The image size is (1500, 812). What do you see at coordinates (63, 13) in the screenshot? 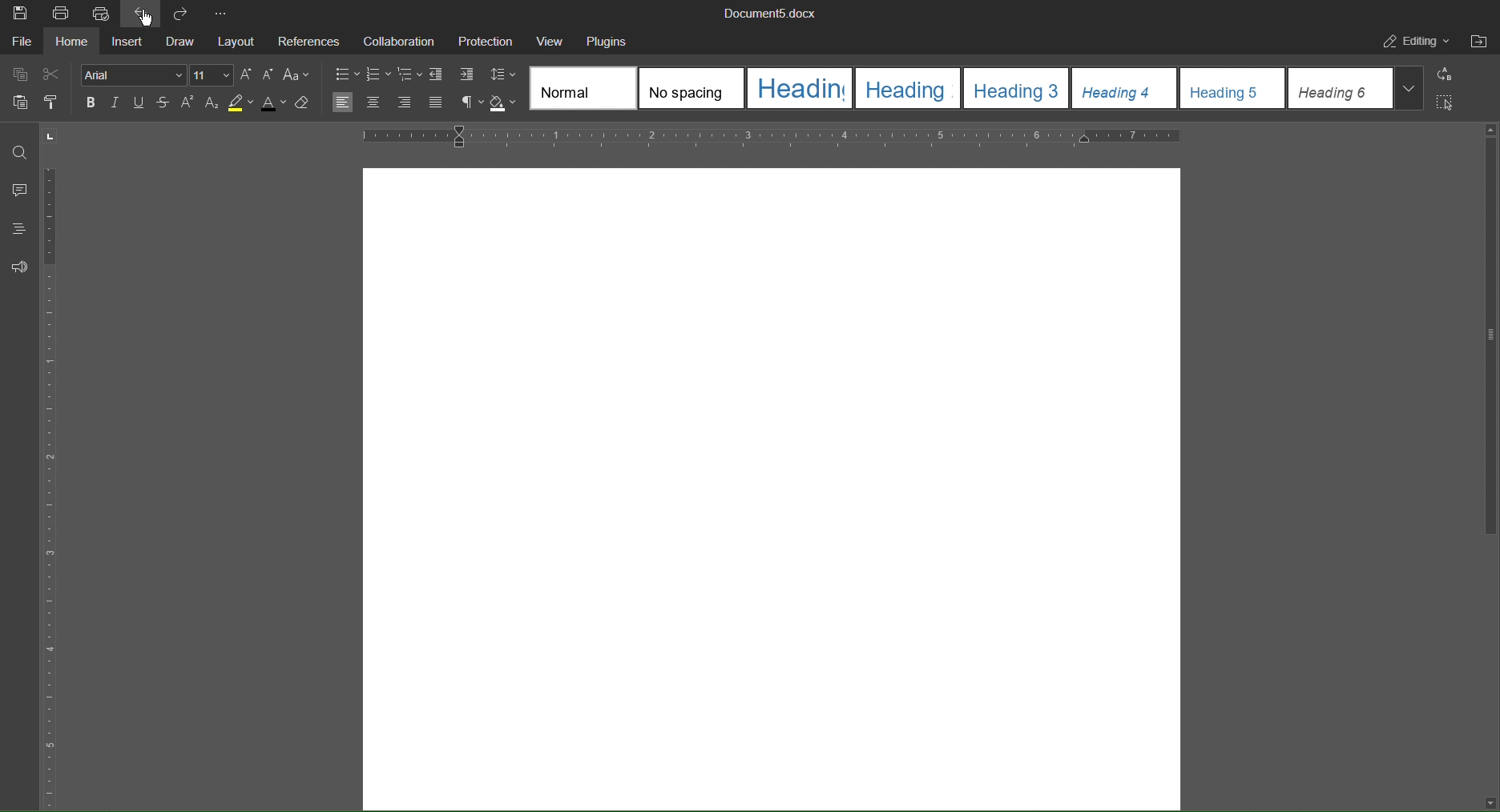
I see `Print` at bounding box center [63, 13].